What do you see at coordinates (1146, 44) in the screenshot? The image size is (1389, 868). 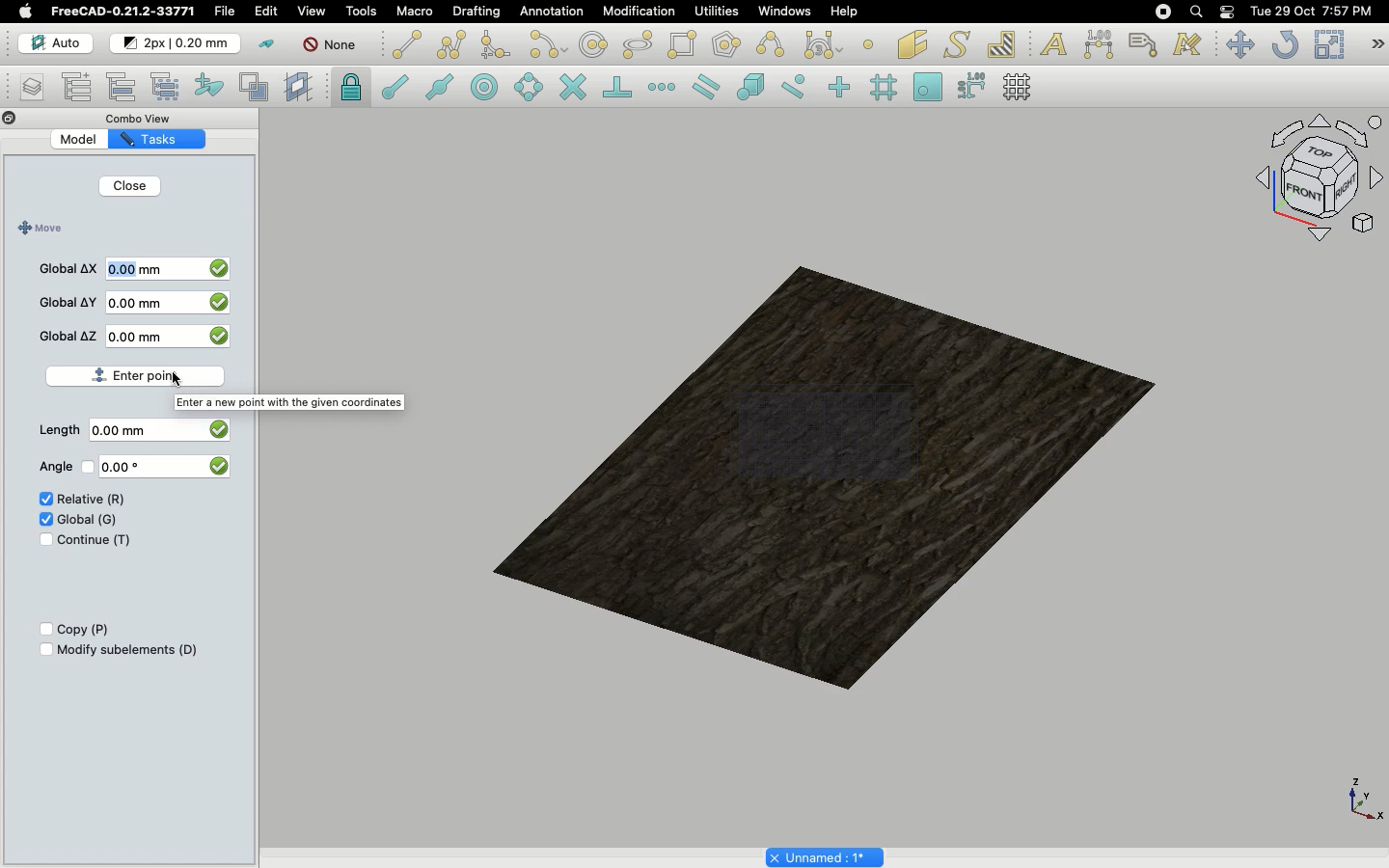 I see `Label` at bounding box center [1146, 44].